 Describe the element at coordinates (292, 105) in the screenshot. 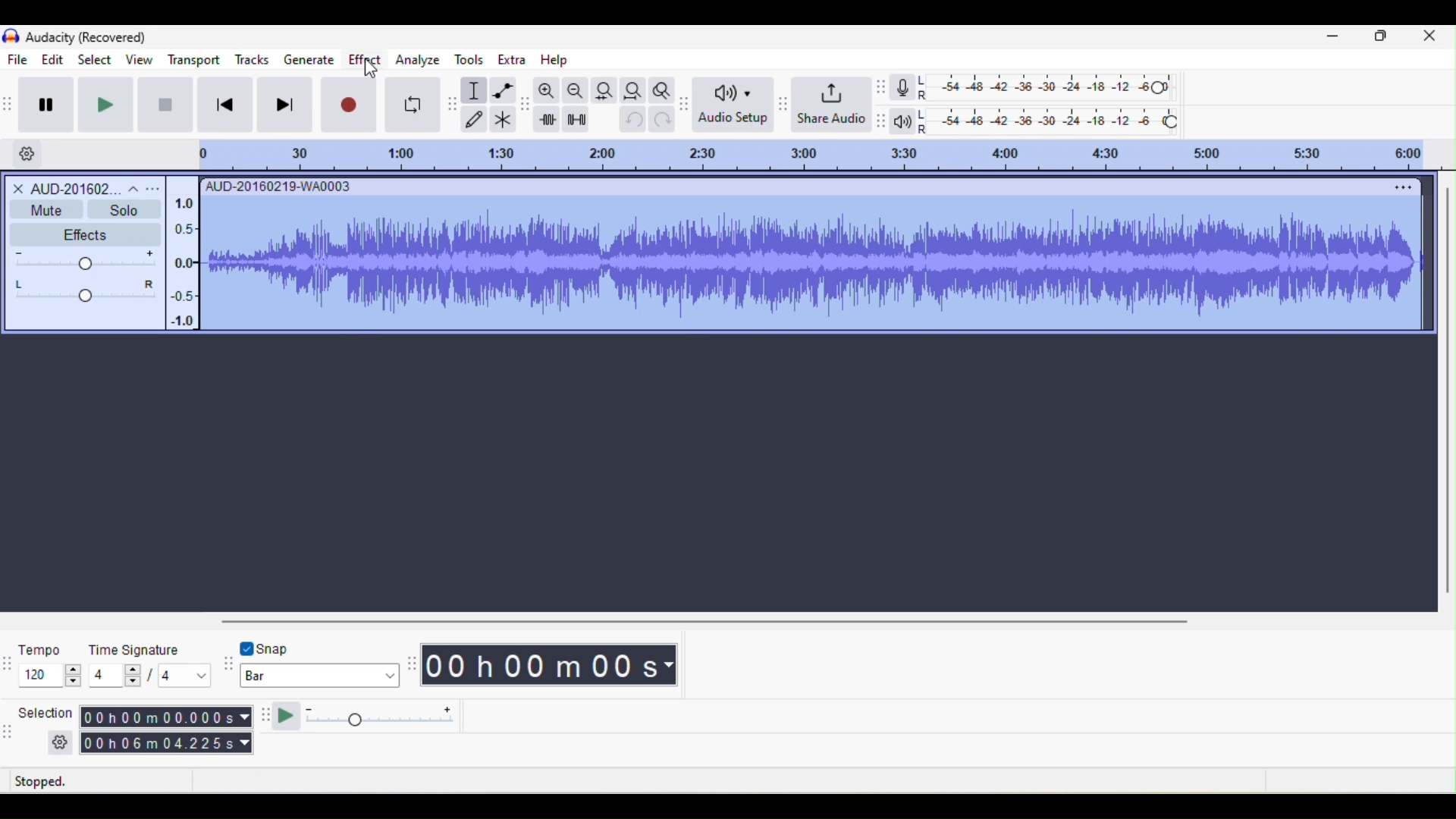

I see `skip to end` at that location.